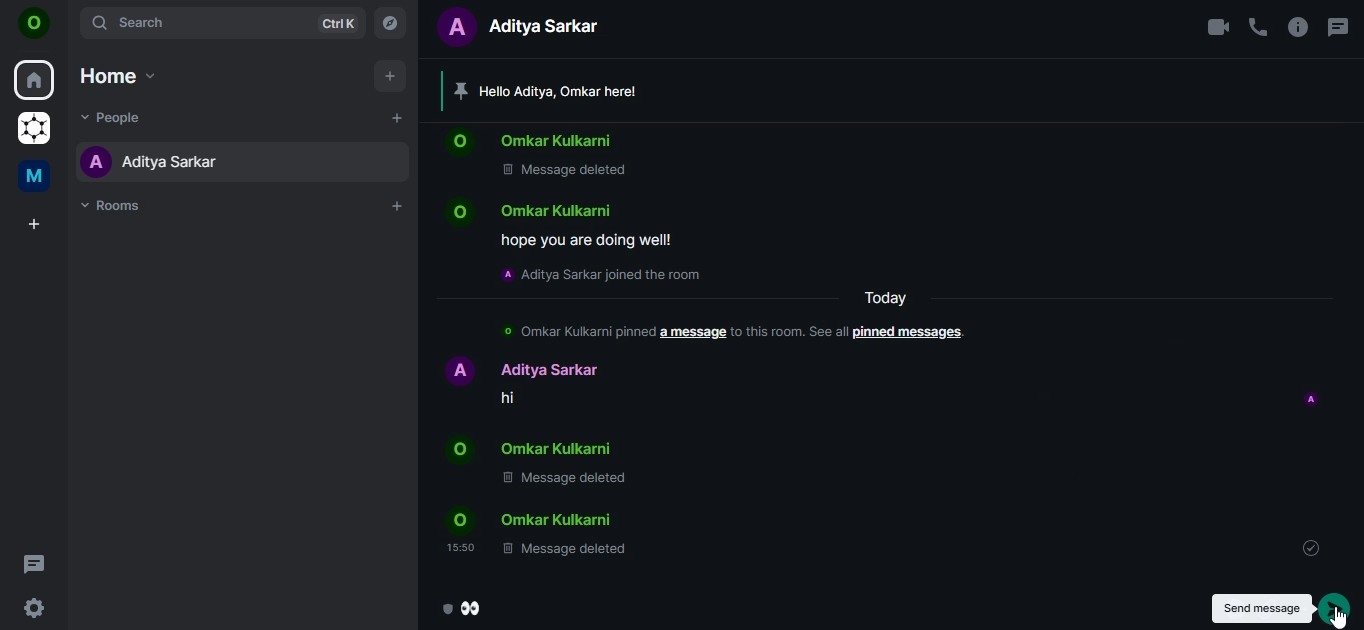 The height and width of the screenshot is (630, 1364). Describe the element at coordinates (118, 73) in the screenshot. I see `home` at that location.